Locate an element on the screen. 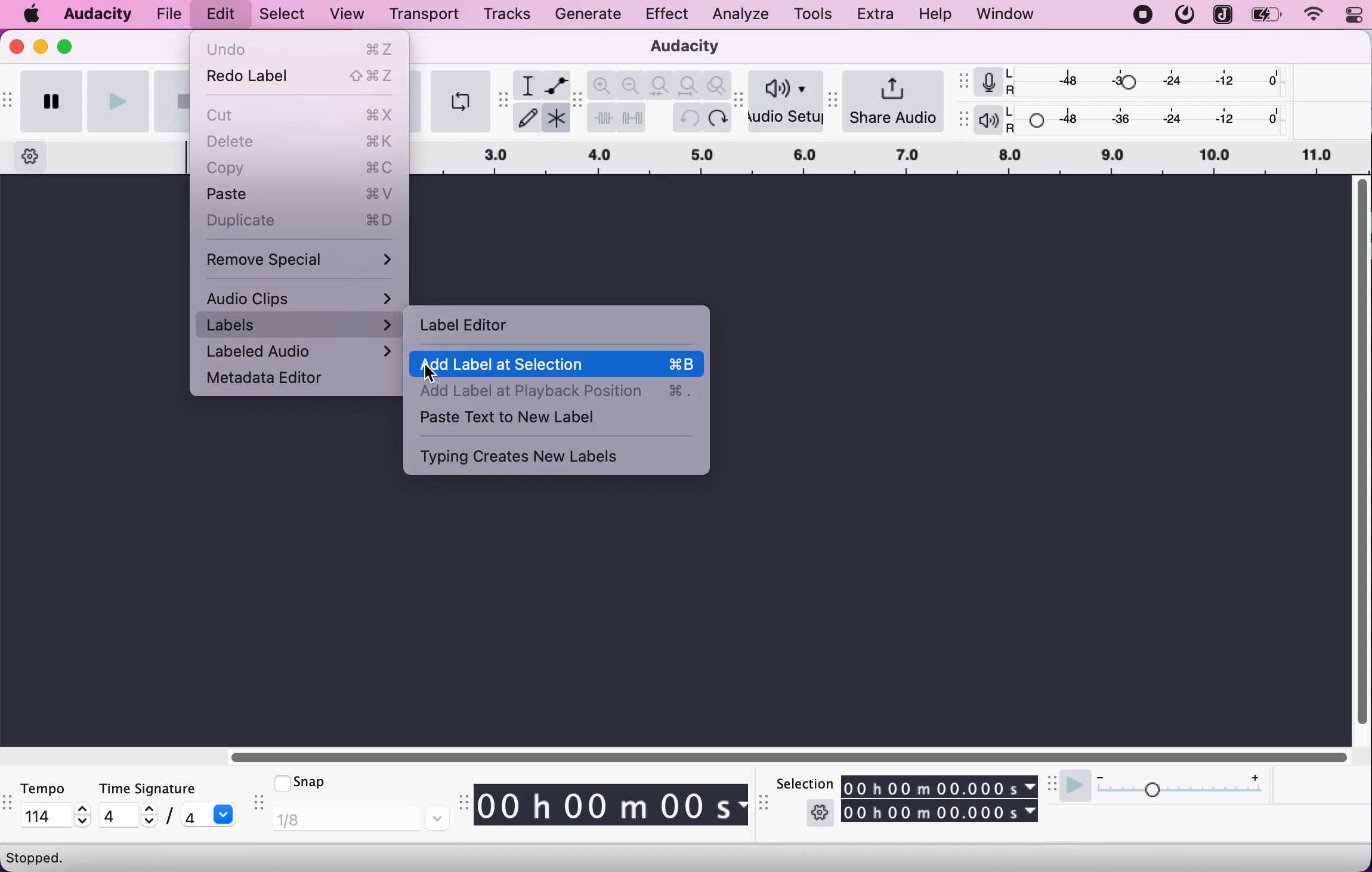 The height and width of the screenshot is (872, 1372). dropdown is located at coordinates (225, 814).